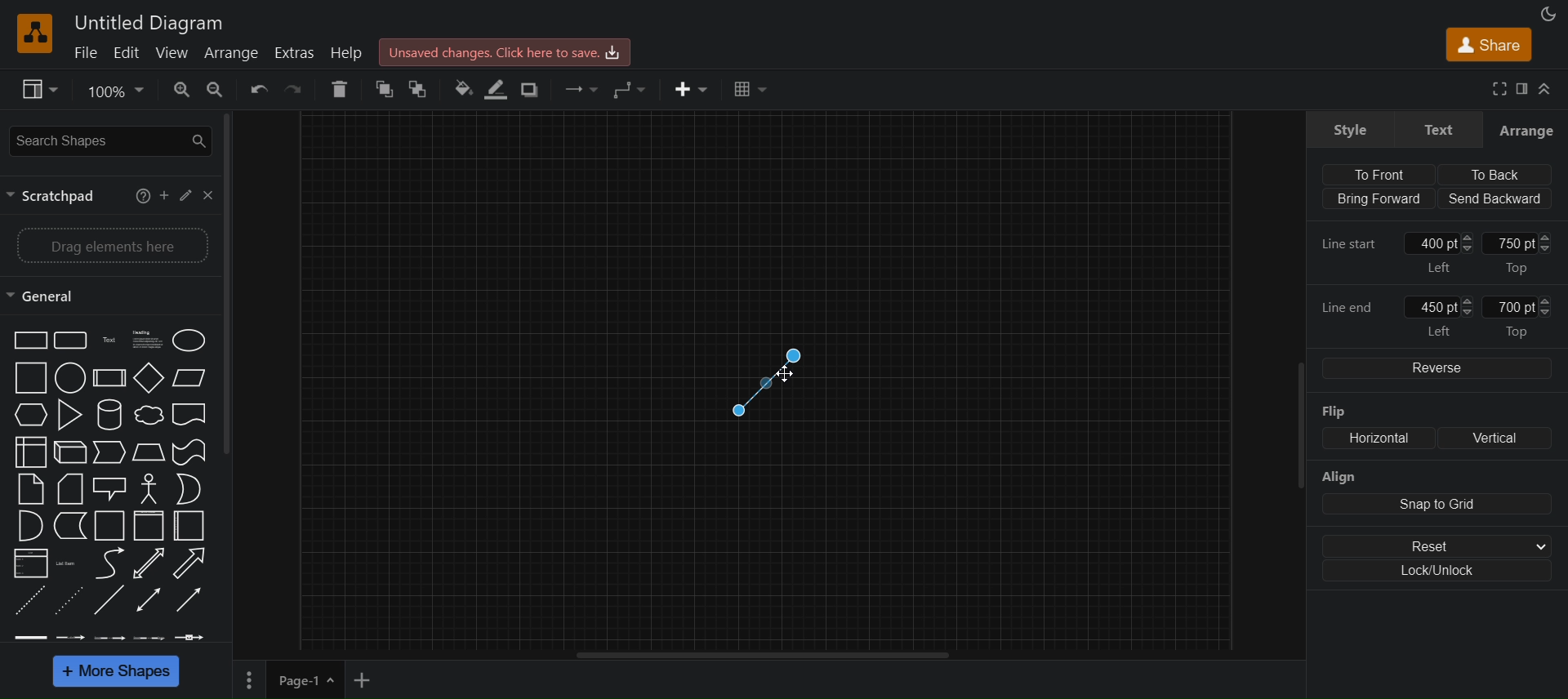 This screenshot has width=1568, height=699. Describe the element at coordinates (633, 91) in the screenshot. I see `waypoints` at that location.